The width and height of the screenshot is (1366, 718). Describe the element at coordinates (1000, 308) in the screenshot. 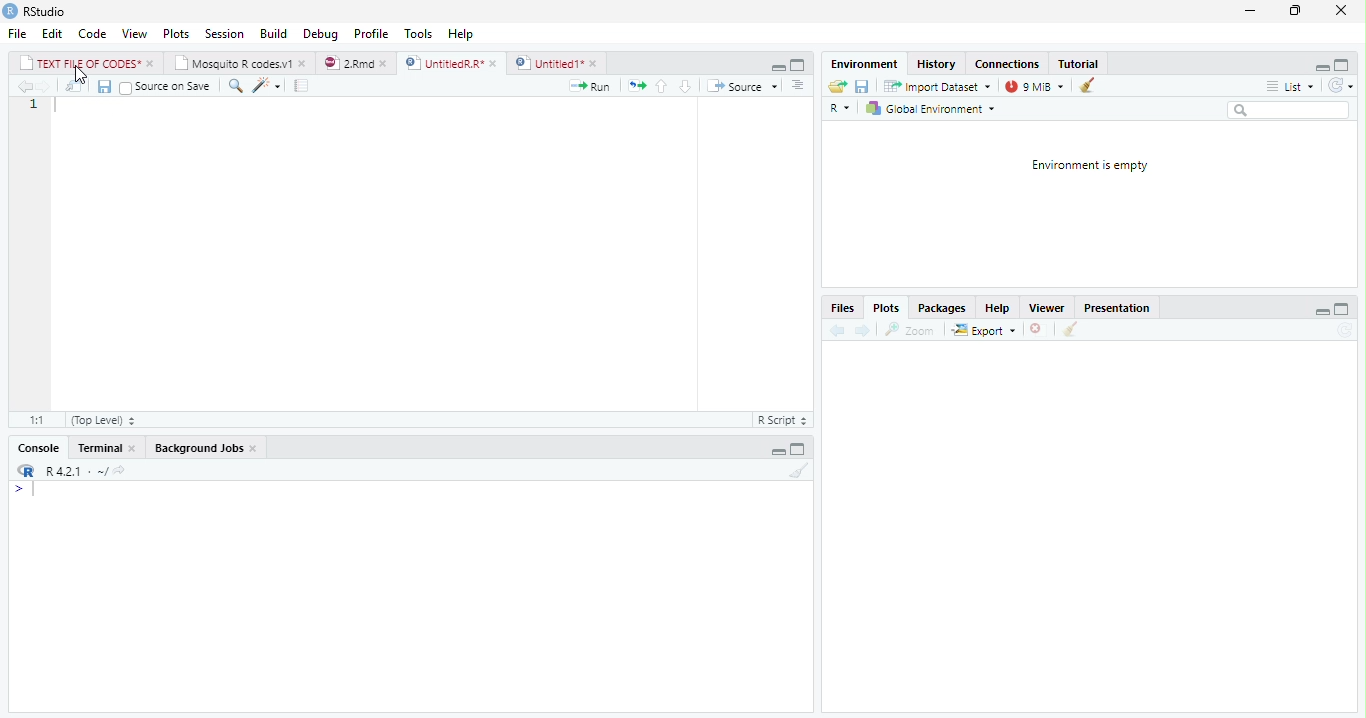

I see `Help` at that location.